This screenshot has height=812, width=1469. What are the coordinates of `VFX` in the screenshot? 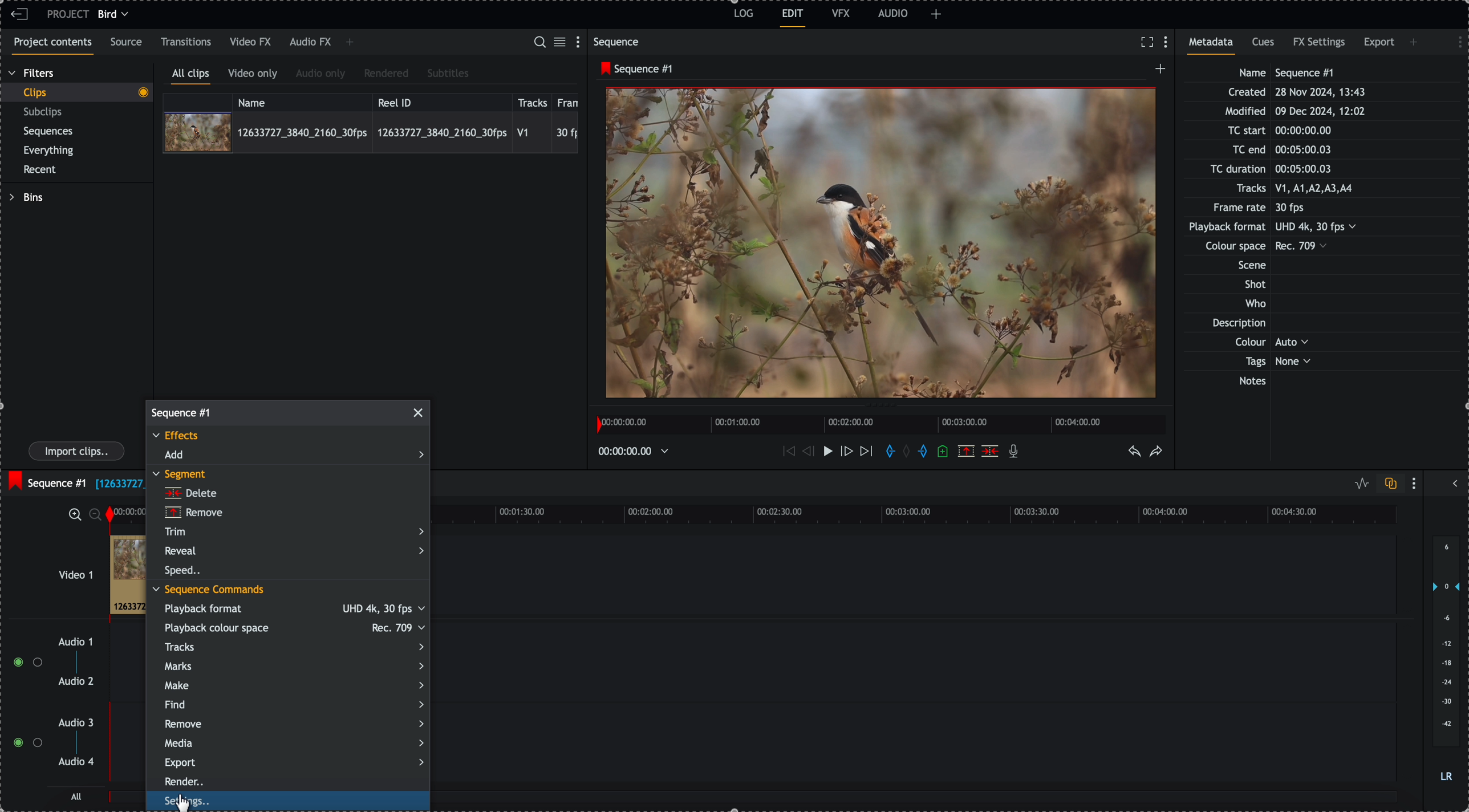 It's located at (841, 13).